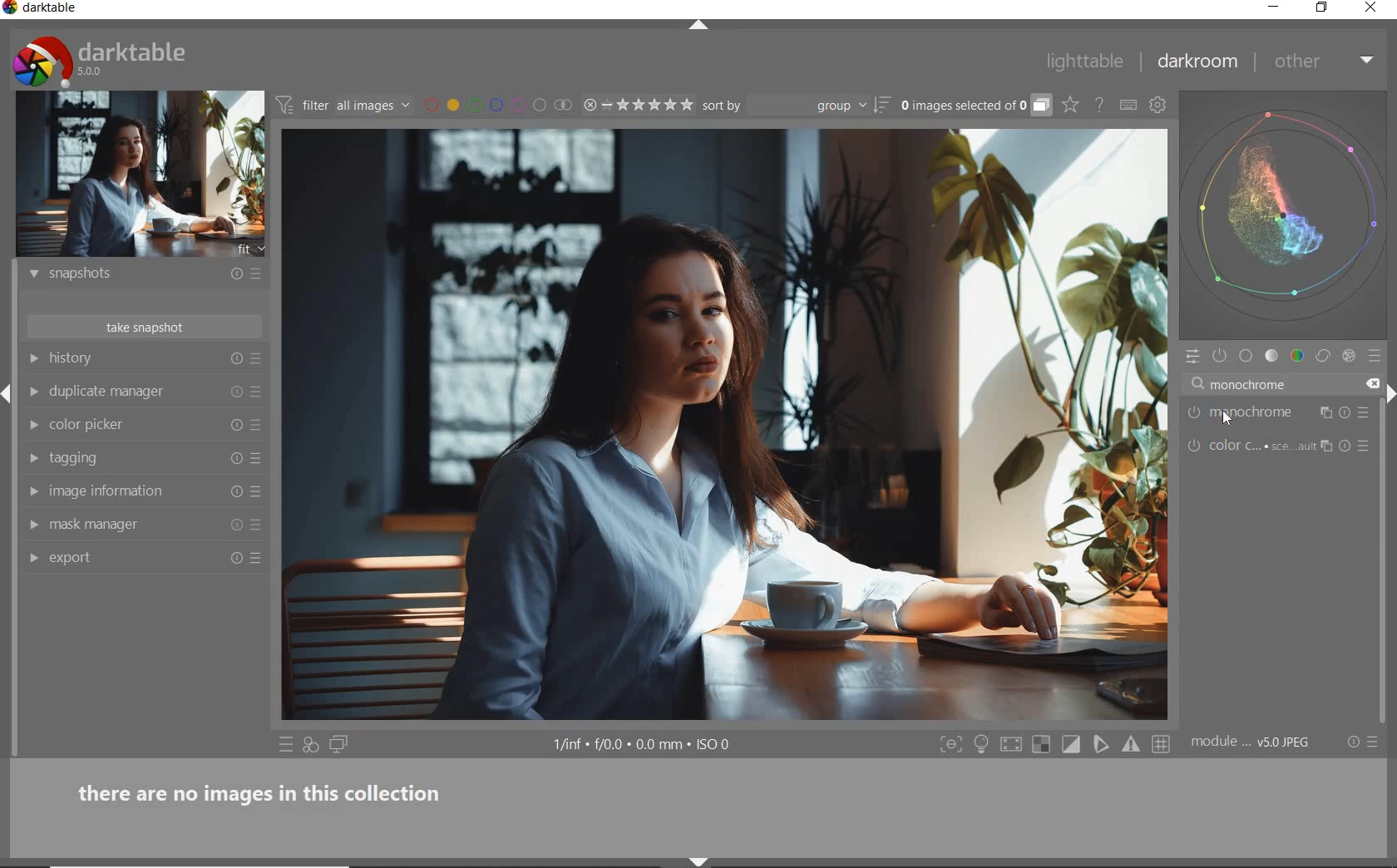 The height and width of the screenshot is (868, 1397). I want to click on range rating of selected image, so click(637, 106).